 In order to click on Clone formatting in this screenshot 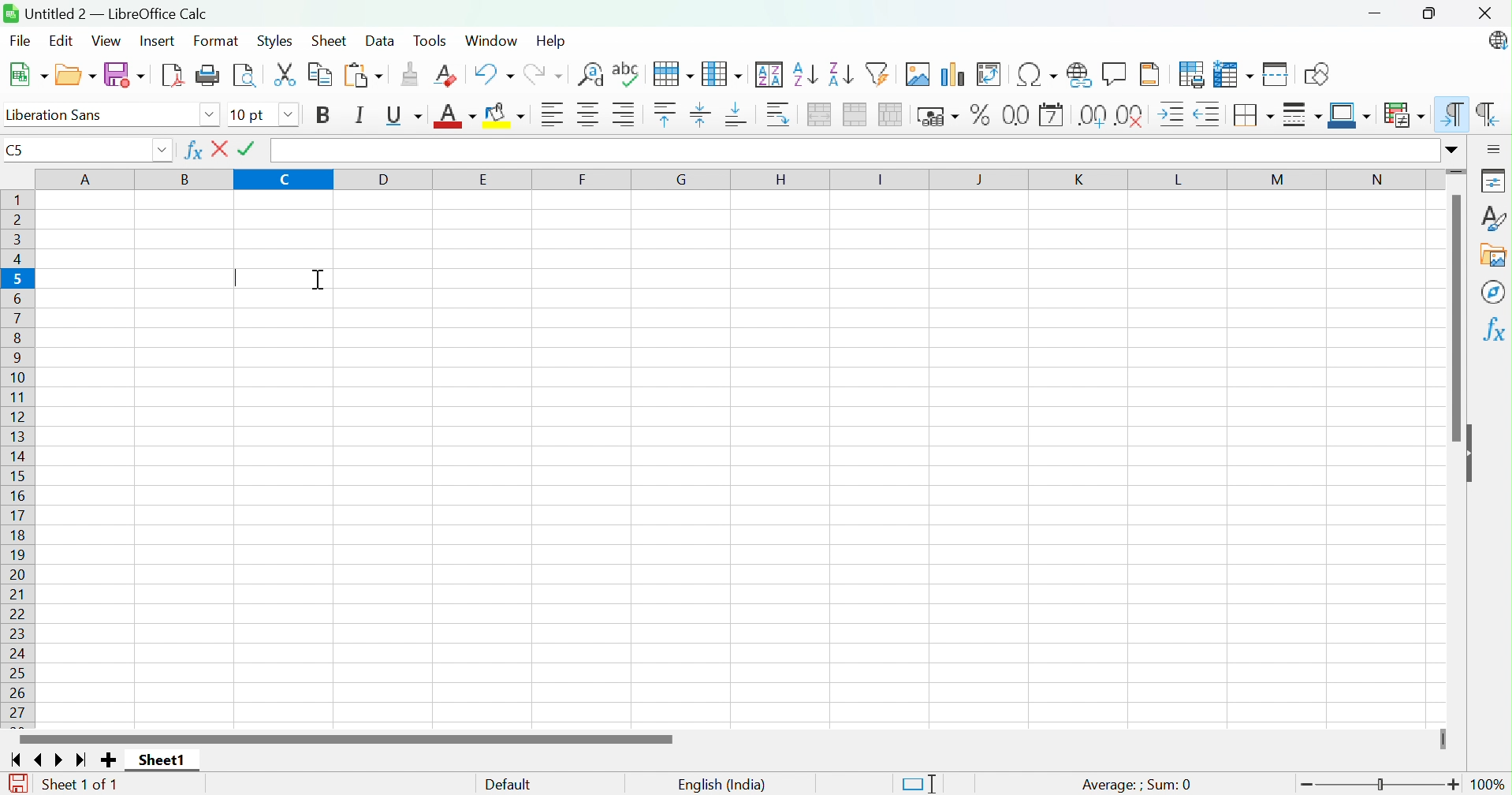, I will do `click(408, 74)`.